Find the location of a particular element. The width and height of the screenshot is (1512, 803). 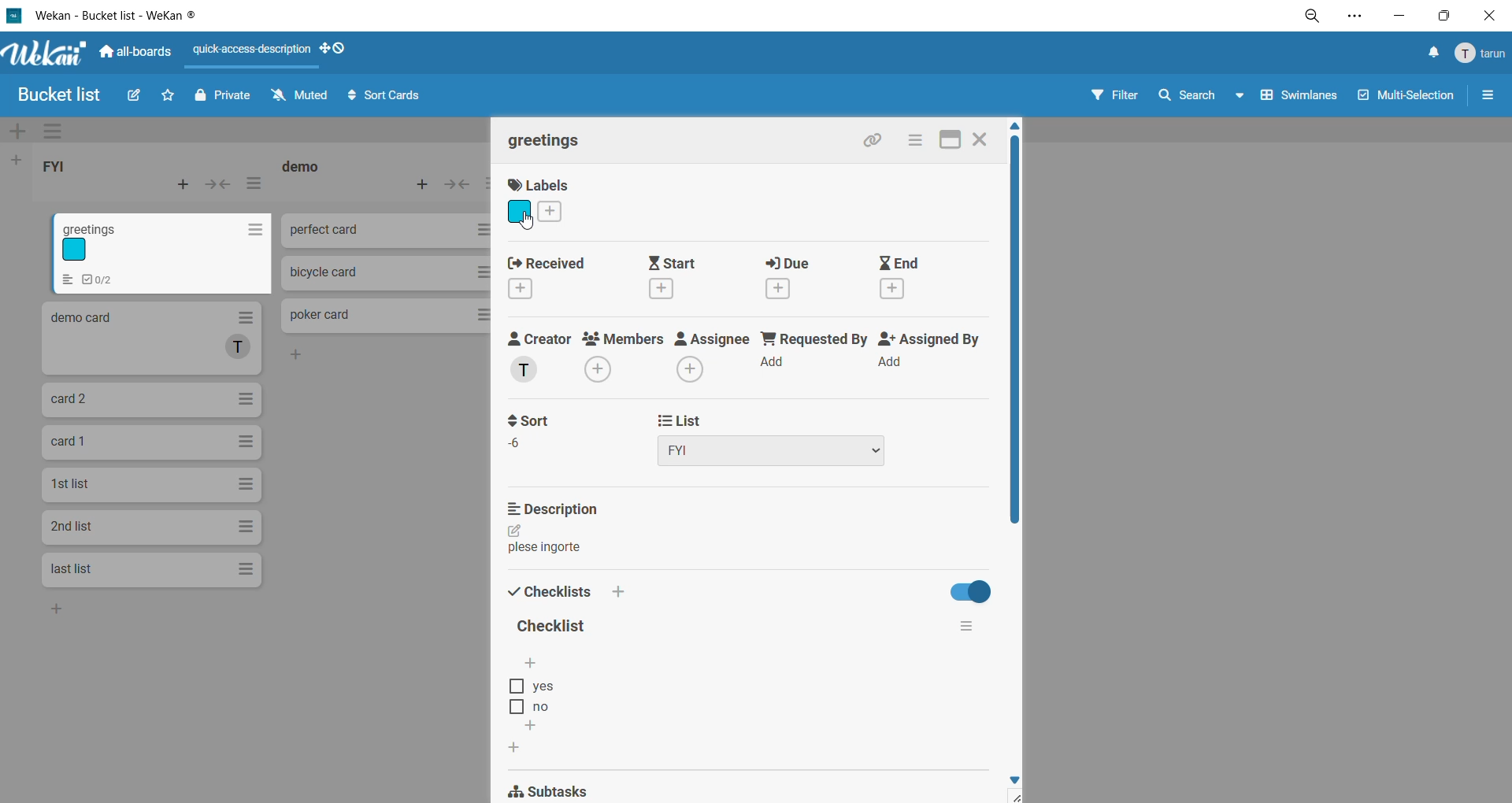

copy link is located at coordinates (878, 140).